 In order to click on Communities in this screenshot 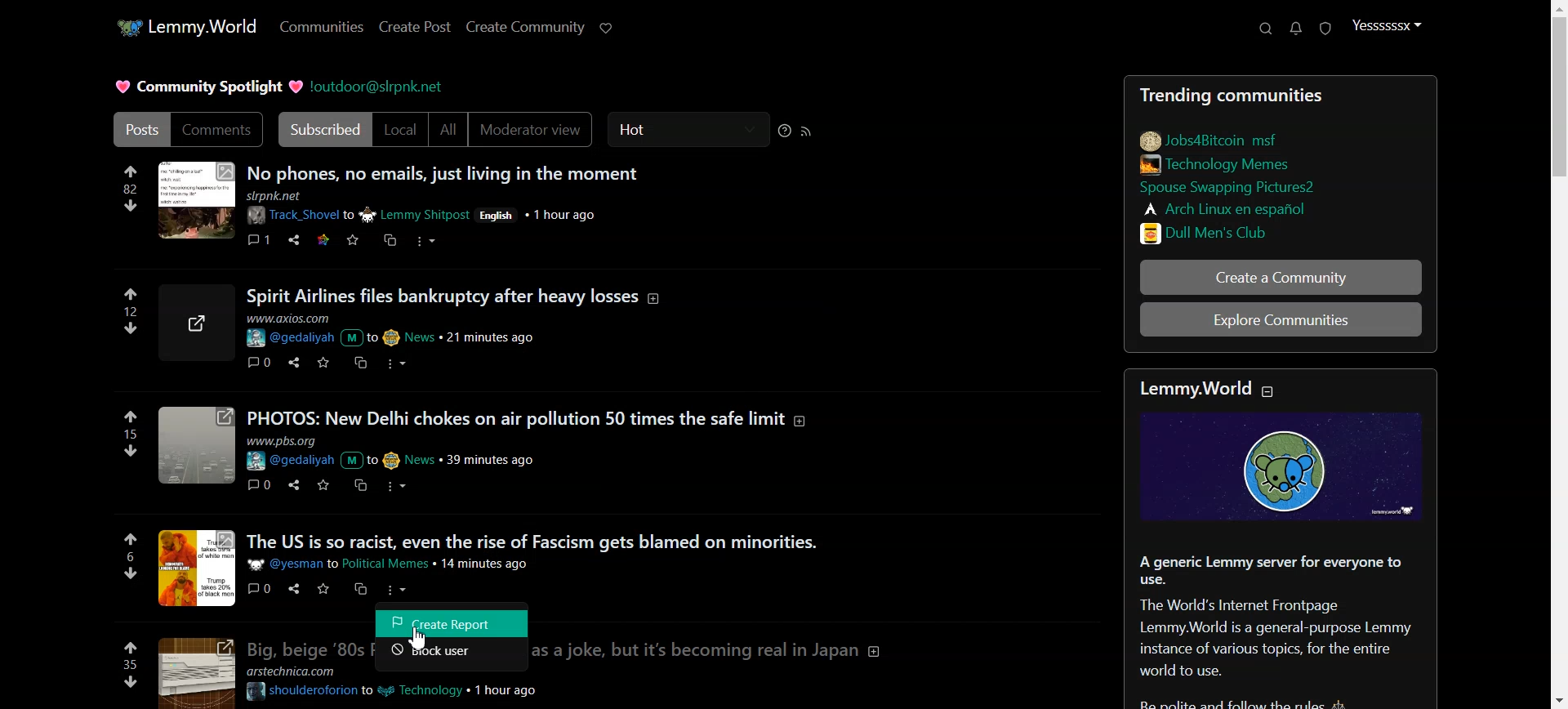, I will do `click(321, 28)`.